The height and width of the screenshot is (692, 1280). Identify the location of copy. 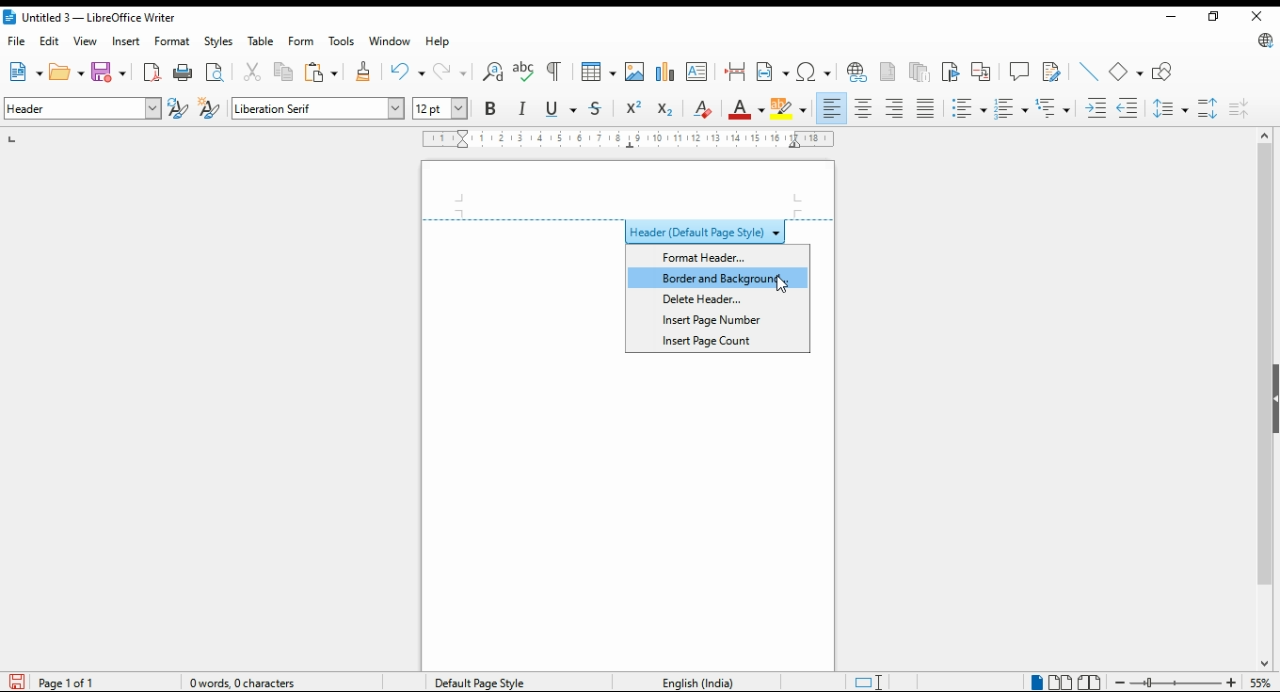
(285, 73).